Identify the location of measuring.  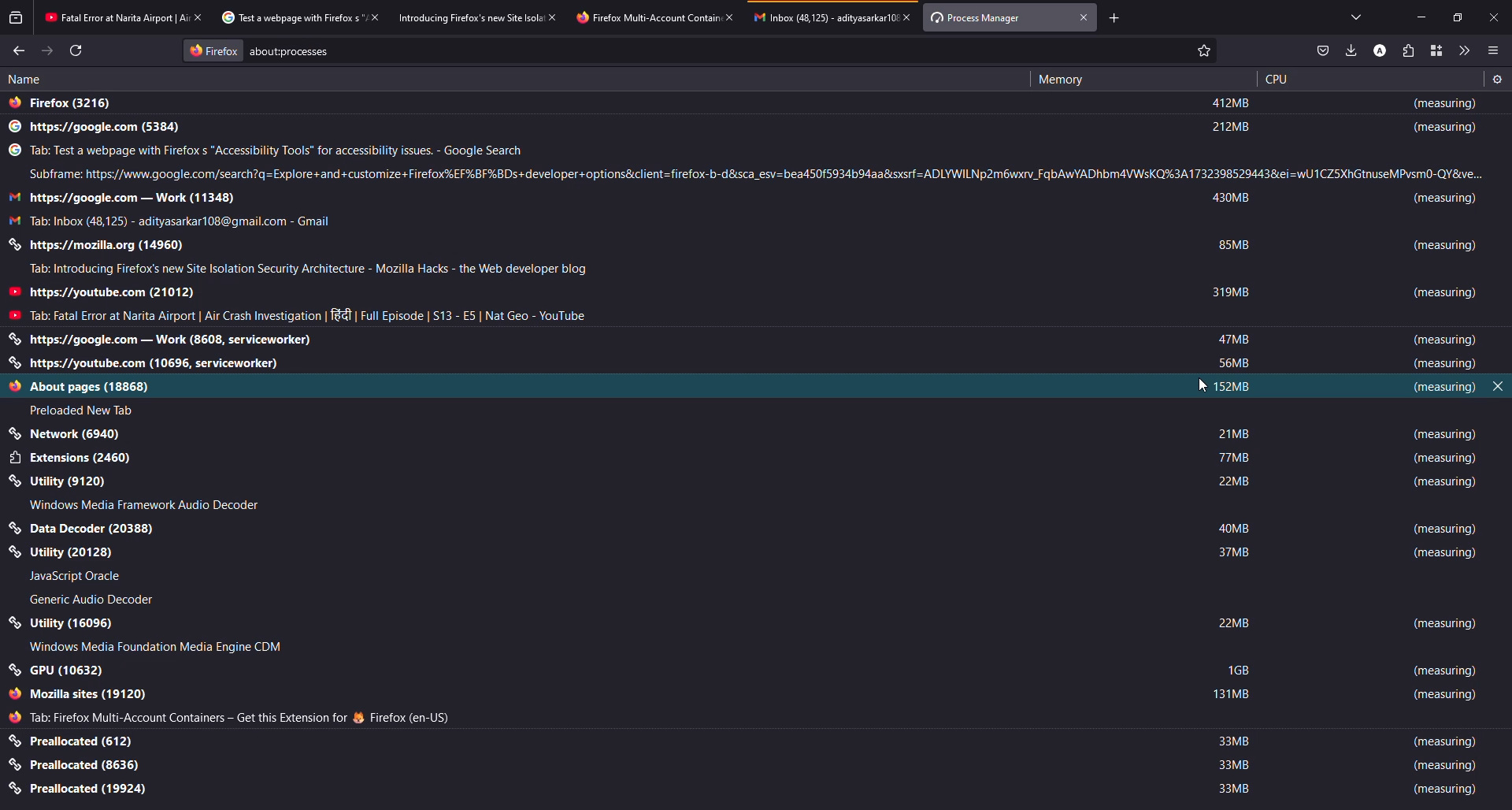
(1441, 199).